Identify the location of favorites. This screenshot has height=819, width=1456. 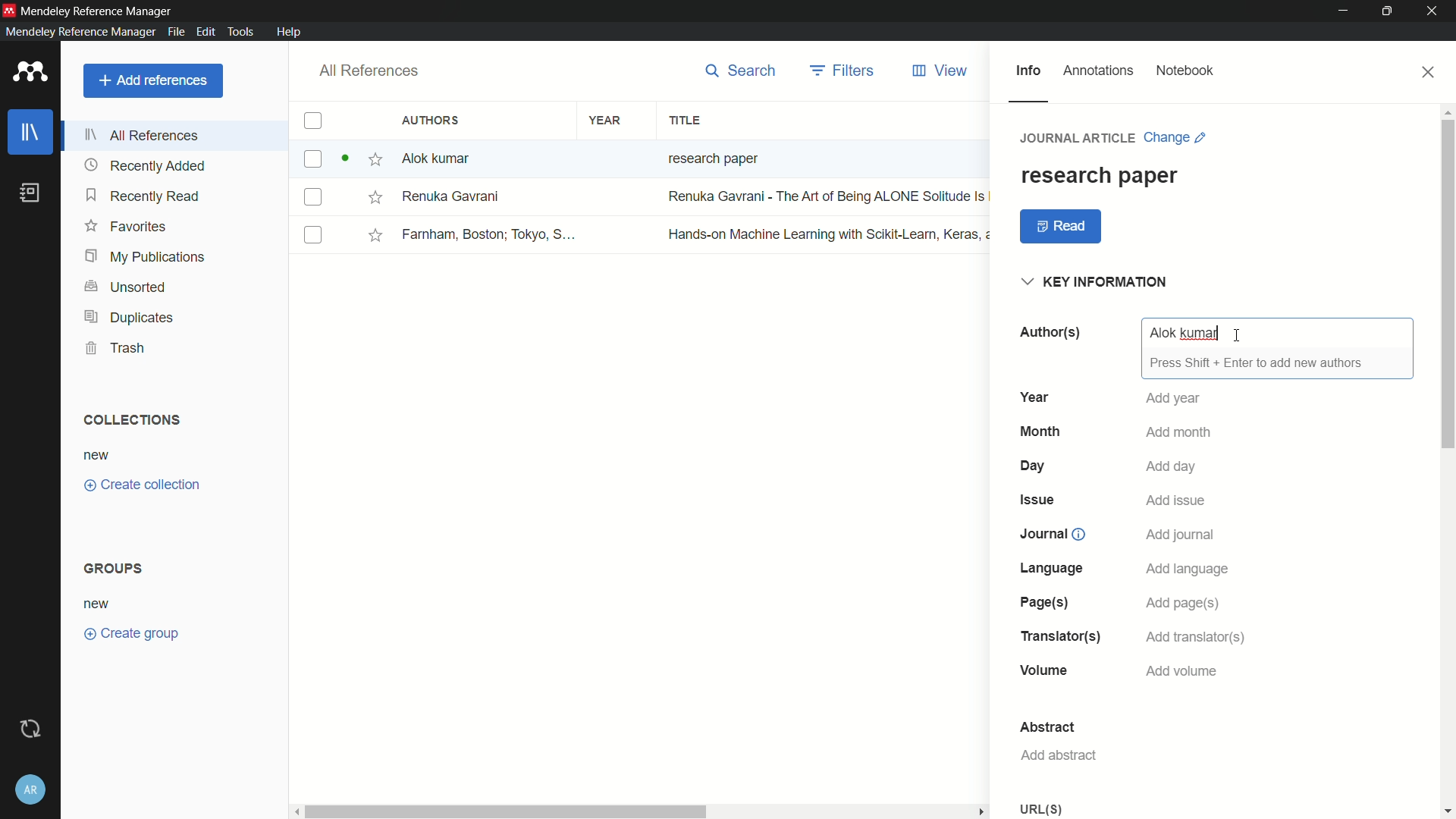
(125, 225).